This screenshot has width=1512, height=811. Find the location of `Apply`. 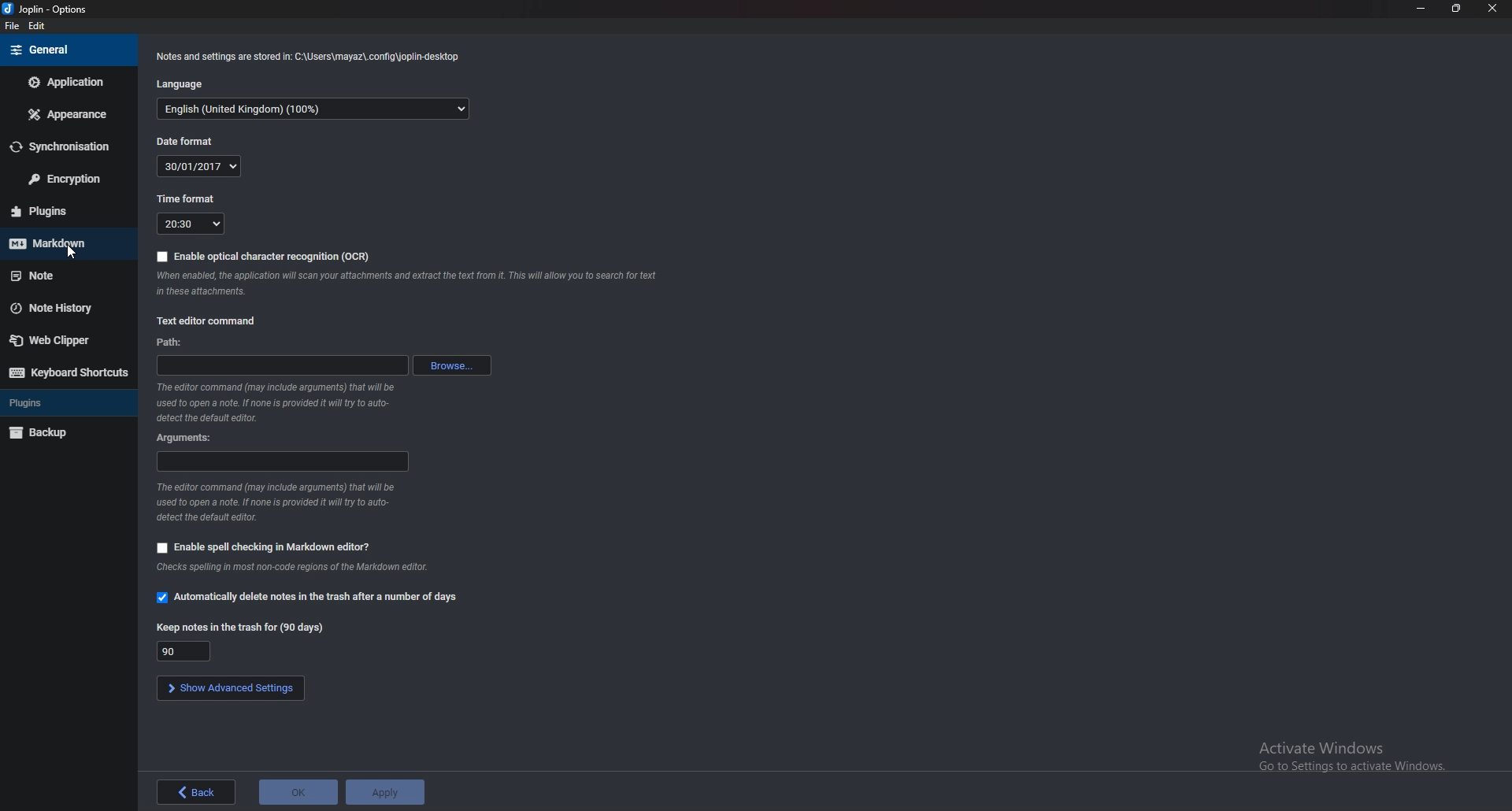

Apply is located at coordinates (385, 793).